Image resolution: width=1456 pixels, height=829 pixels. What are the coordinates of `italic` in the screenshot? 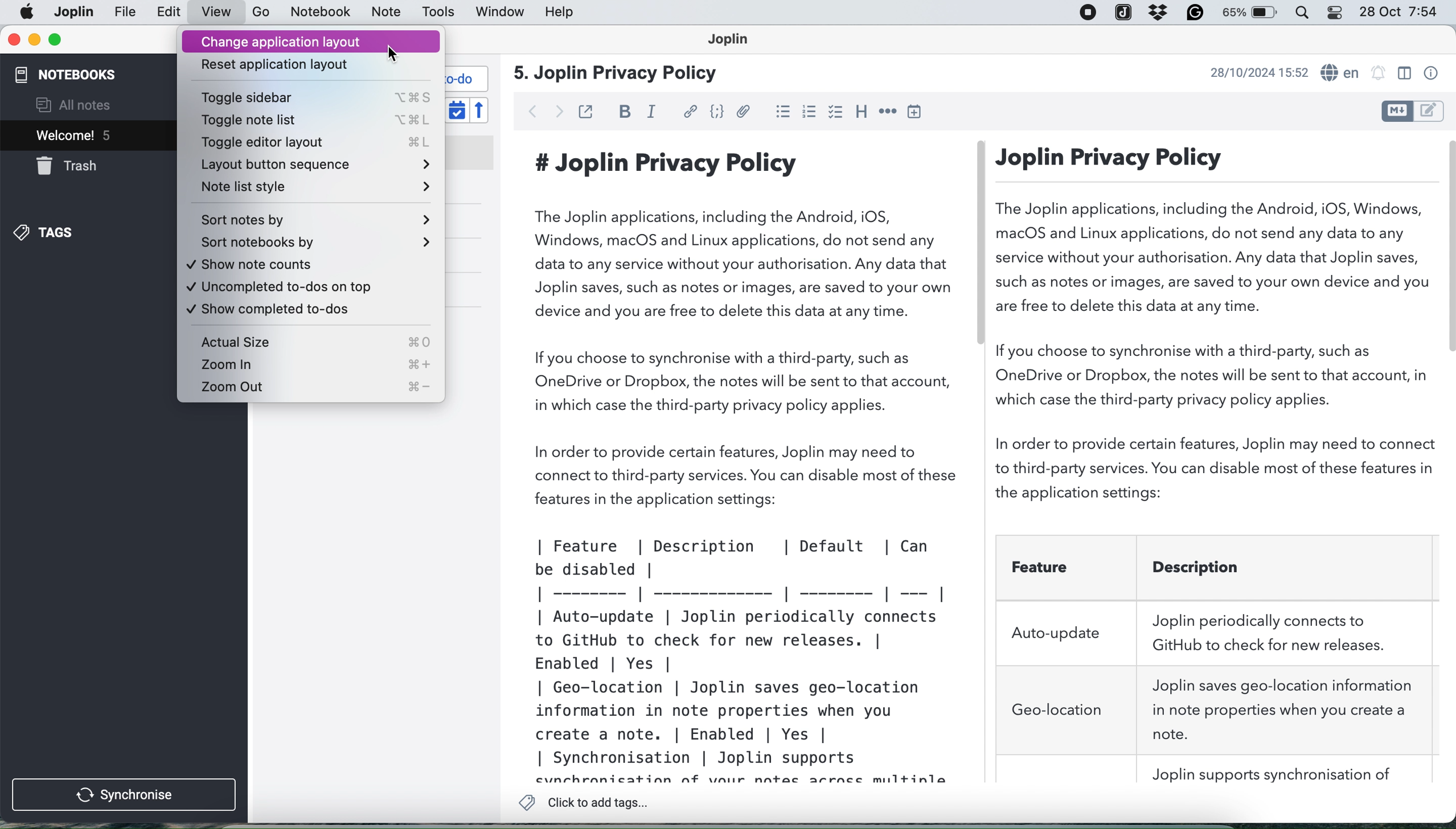 It's located at (652, 112).